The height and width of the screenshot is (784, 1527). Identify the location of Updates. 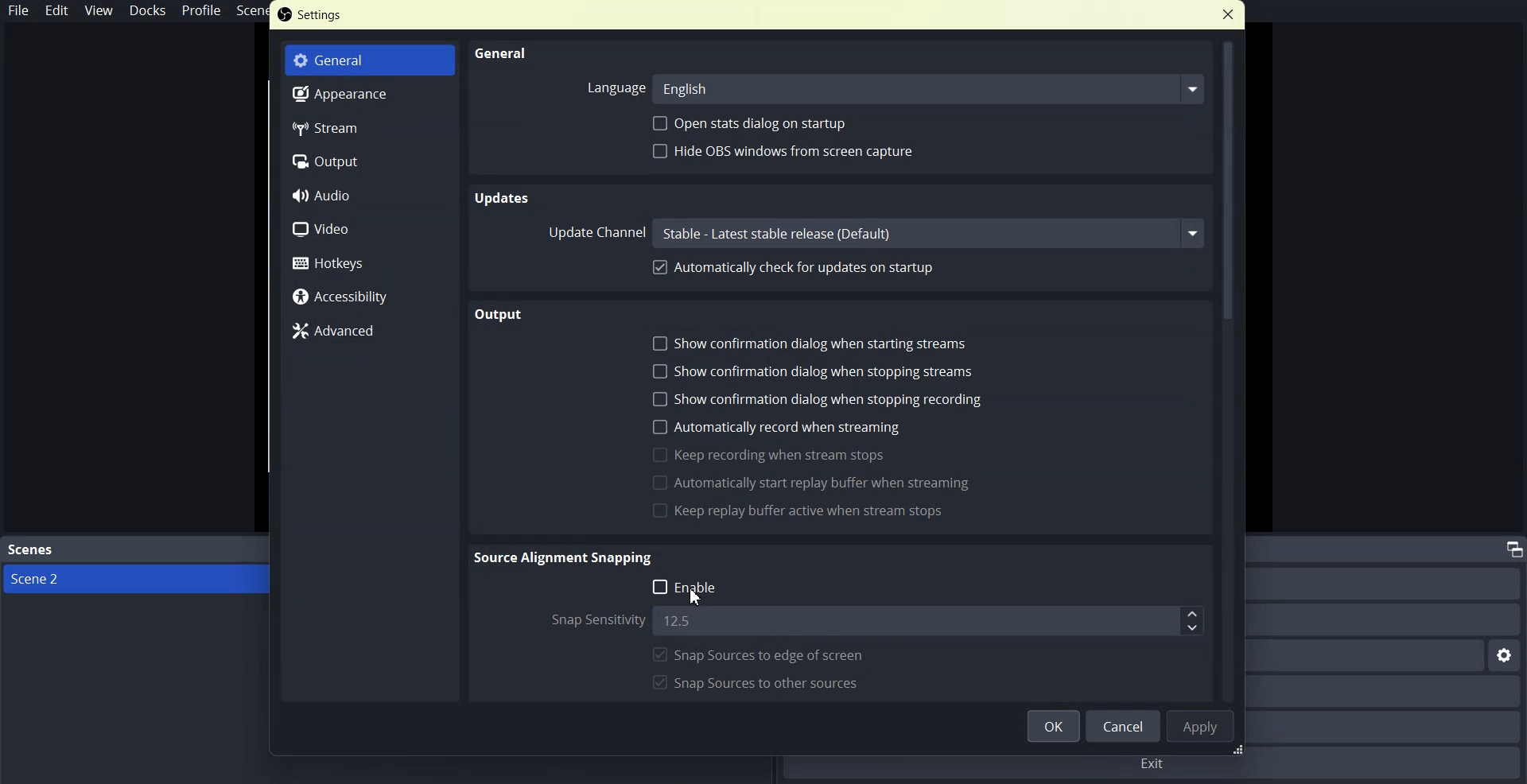
(504, 199).